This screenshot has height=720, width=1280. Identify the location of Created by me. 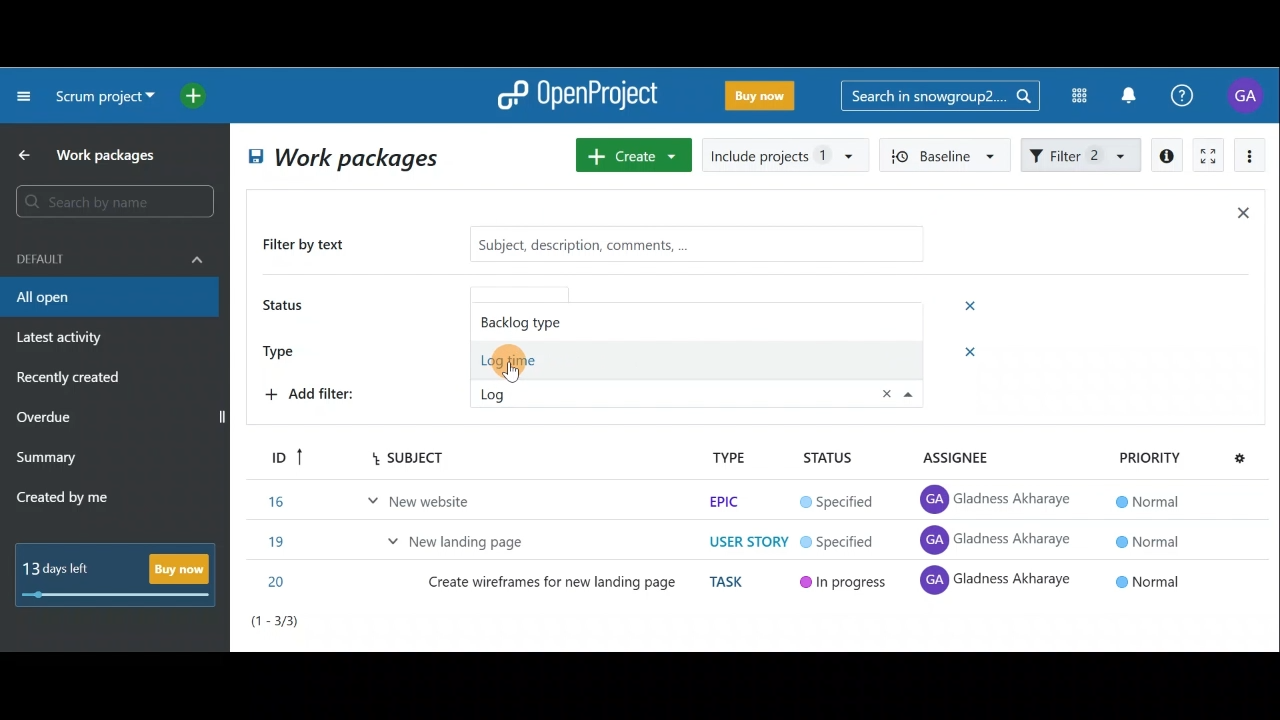
(74, 500).